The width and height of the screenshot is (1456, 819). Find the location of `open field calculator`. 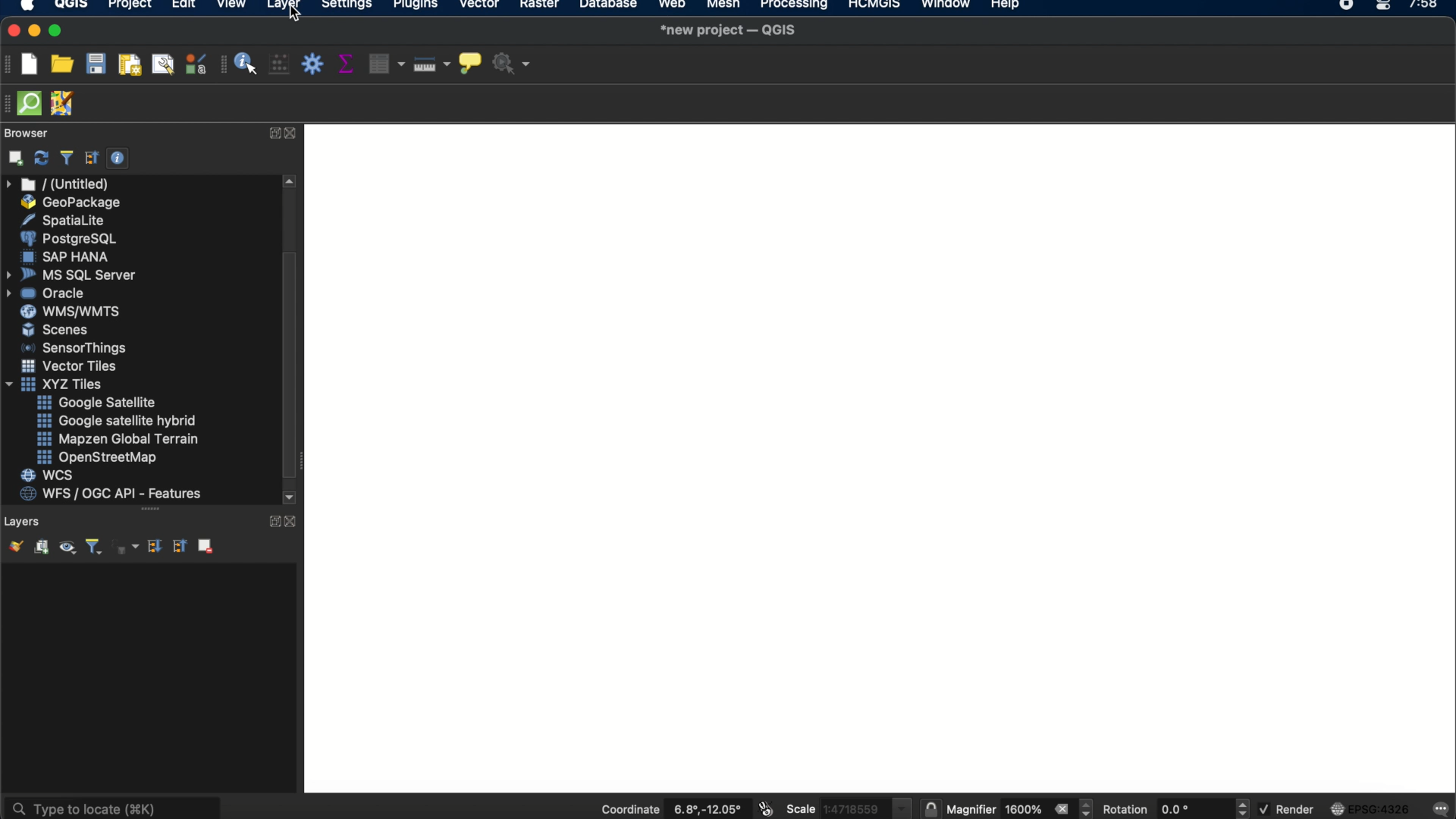

open field calculator is located at coordinates (278, 63).